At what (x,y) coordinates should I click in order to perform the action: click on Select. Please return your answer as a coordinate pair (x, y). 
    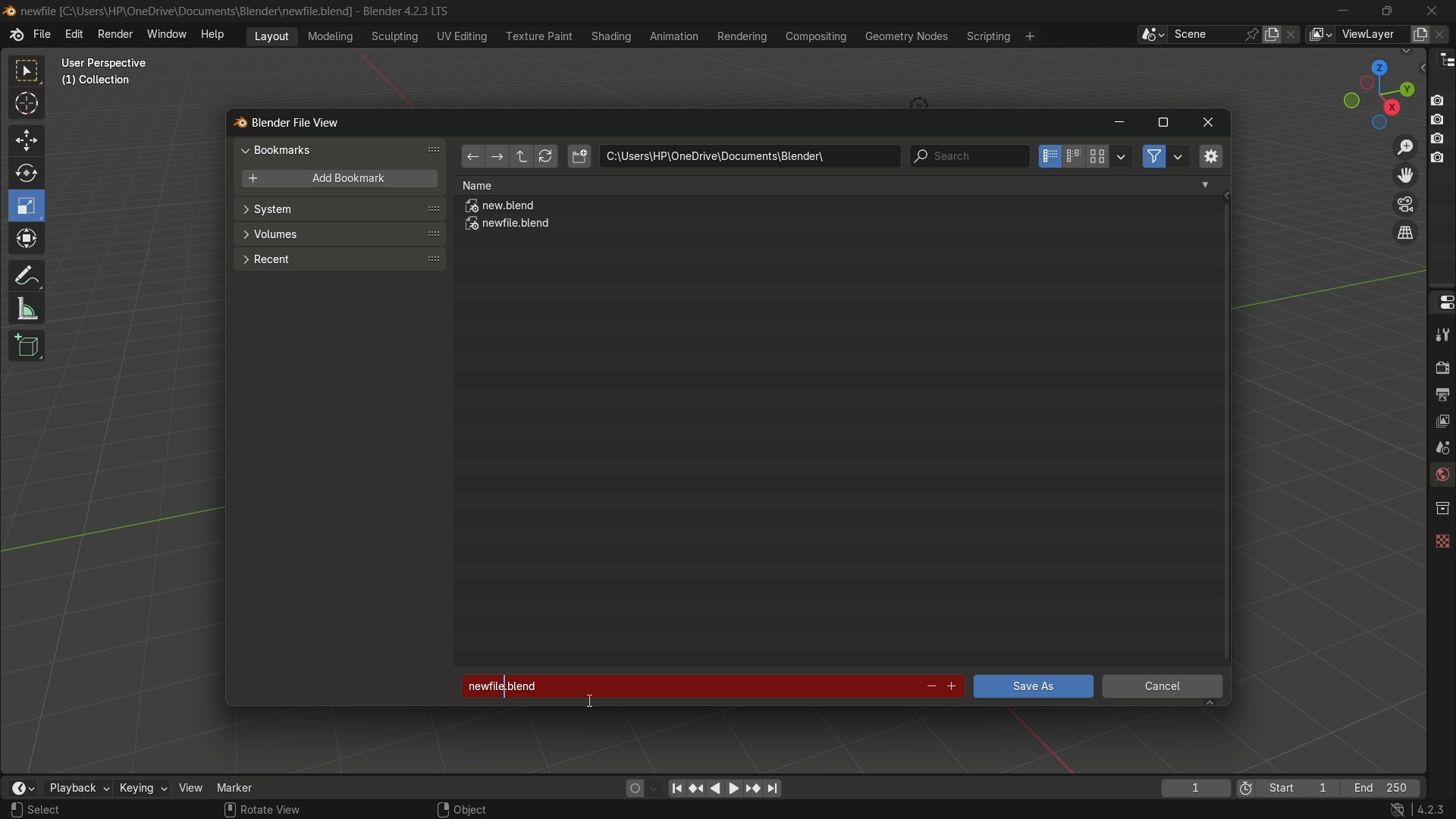
    Looking at the image, I should click on (63, 810).